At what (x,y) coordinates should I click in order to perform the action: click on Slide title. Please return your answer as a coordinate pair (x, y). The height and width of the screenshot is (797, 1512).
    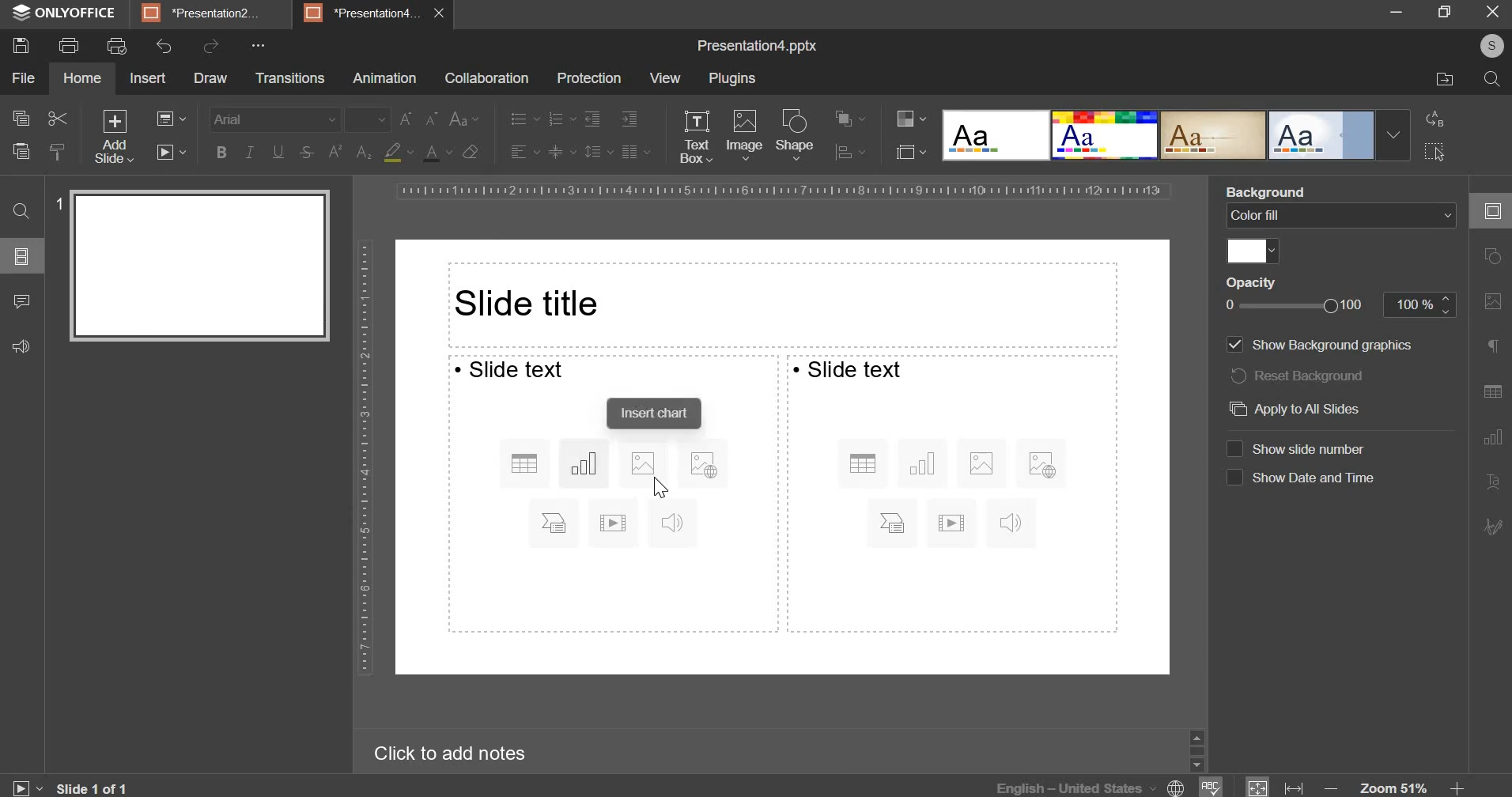
    Looking at the image, I should click on (782, 305).